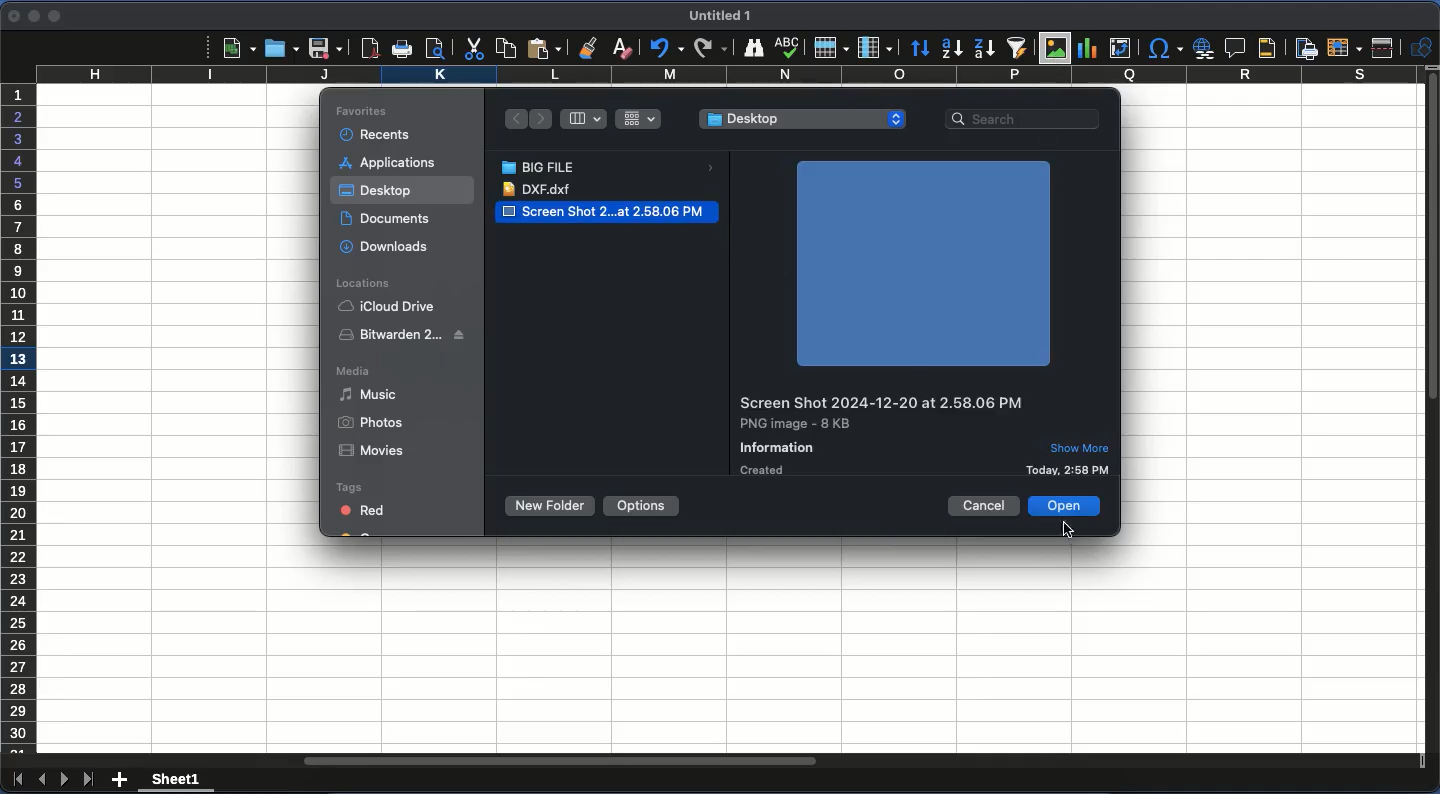 Image resolution: width=1440 pixels, height=794 pixels. I want to click on desktop, so click(801, 119).